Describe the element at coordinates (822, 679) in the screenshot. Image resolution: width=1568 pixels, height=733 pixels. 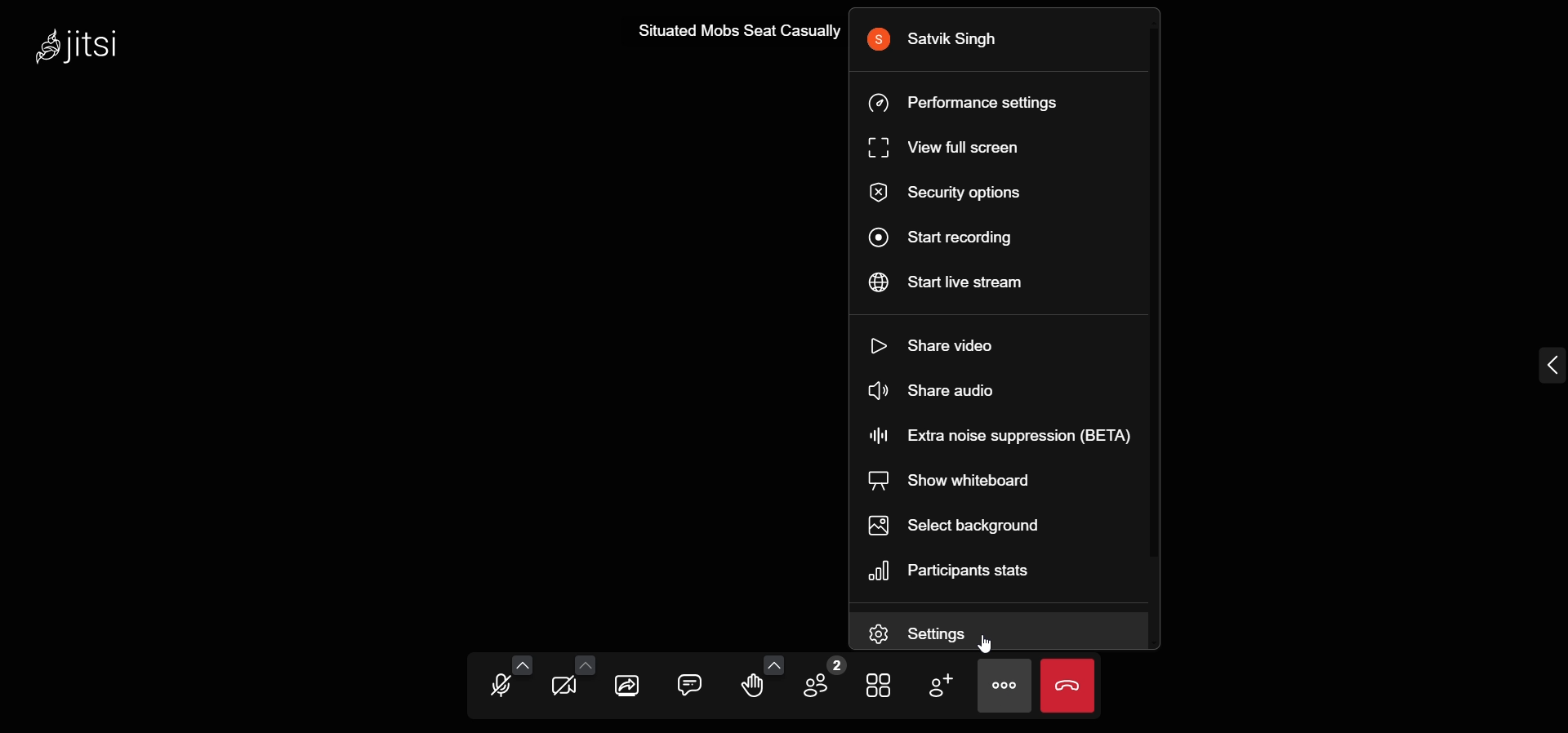
I see `participant` at that location.